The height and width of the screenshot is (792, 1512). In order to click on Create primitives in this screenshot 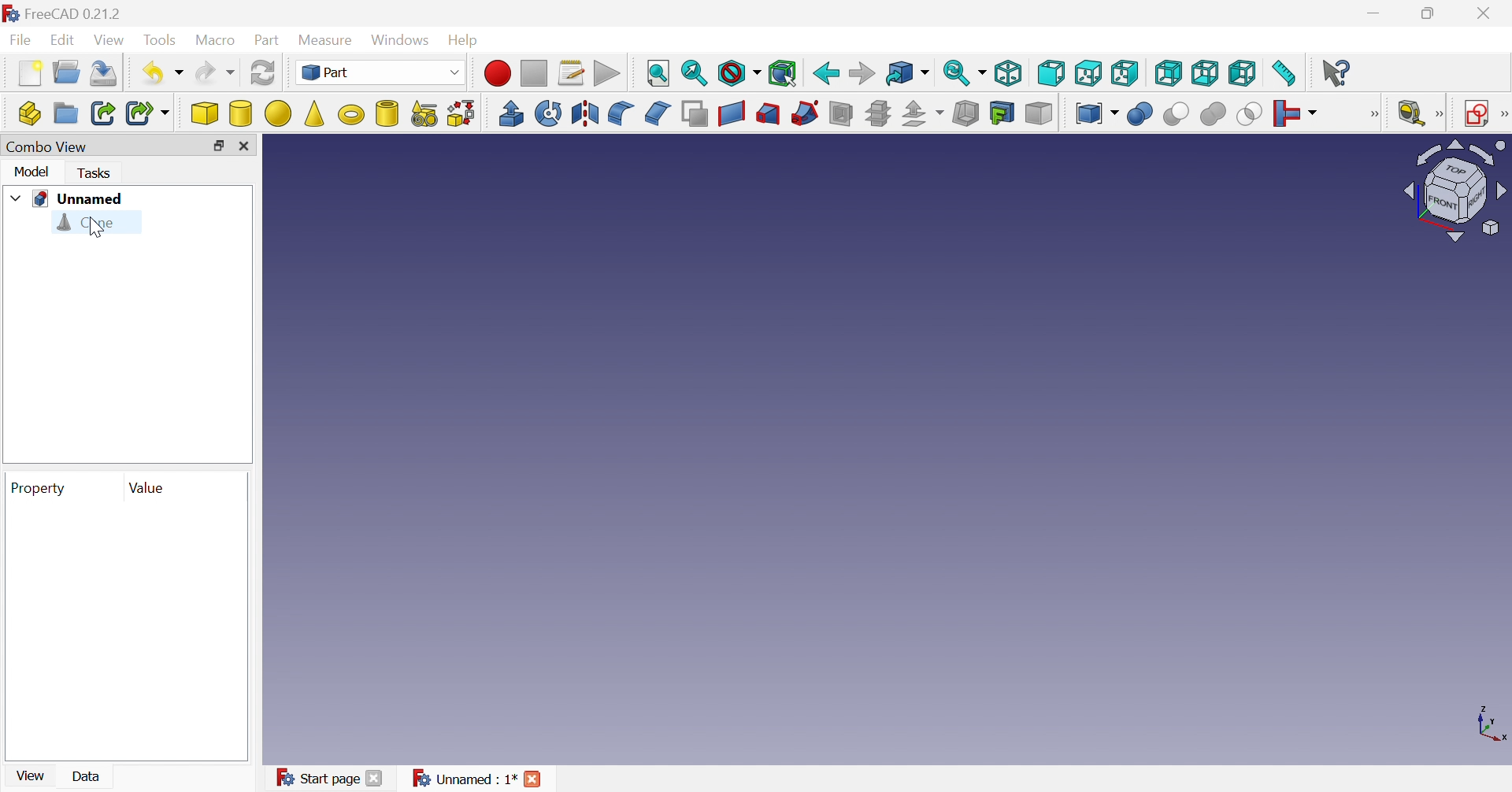, I will do `click(422, 113)`.